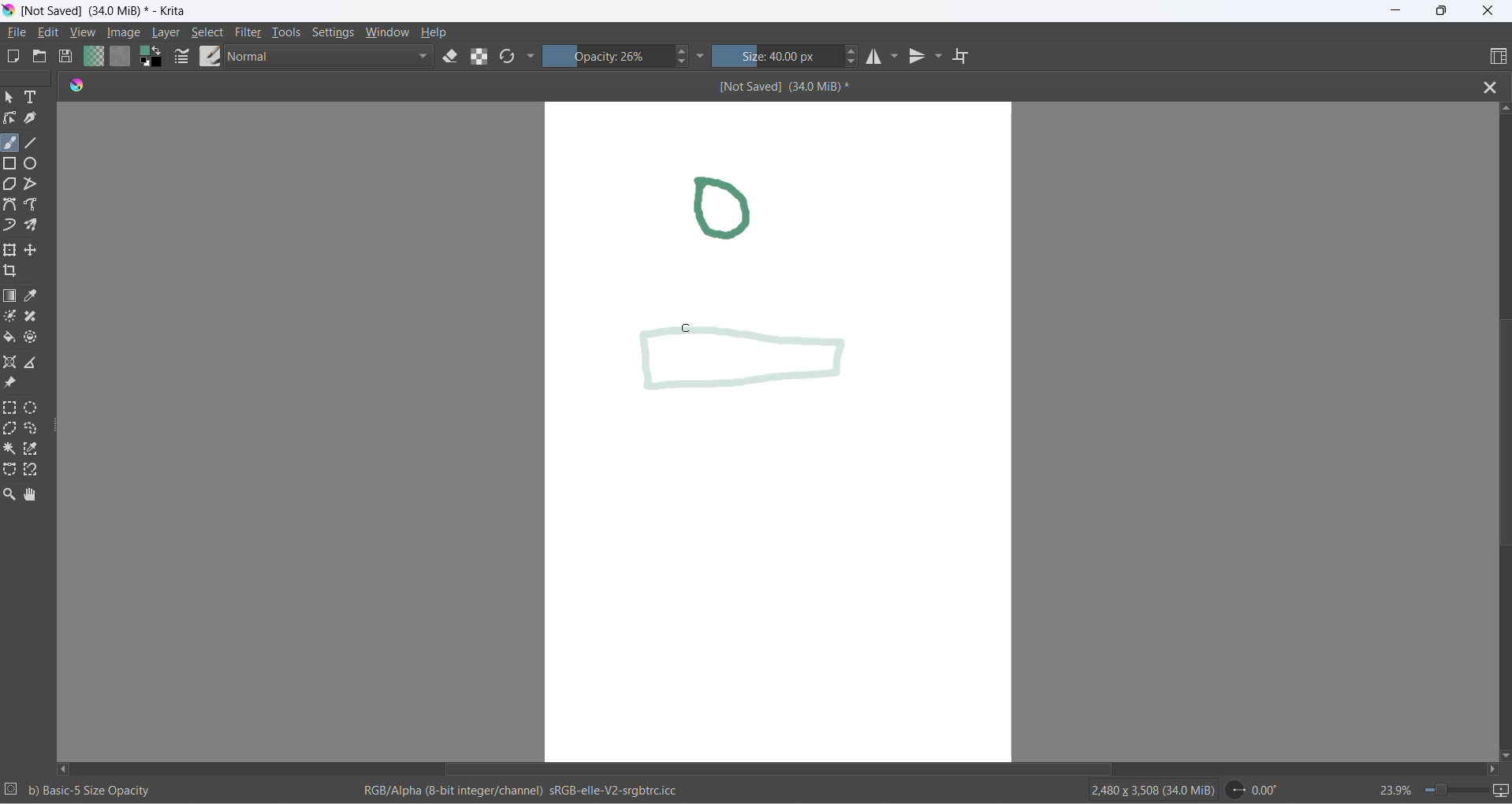  I want to click on close file, so click(1487, 86).